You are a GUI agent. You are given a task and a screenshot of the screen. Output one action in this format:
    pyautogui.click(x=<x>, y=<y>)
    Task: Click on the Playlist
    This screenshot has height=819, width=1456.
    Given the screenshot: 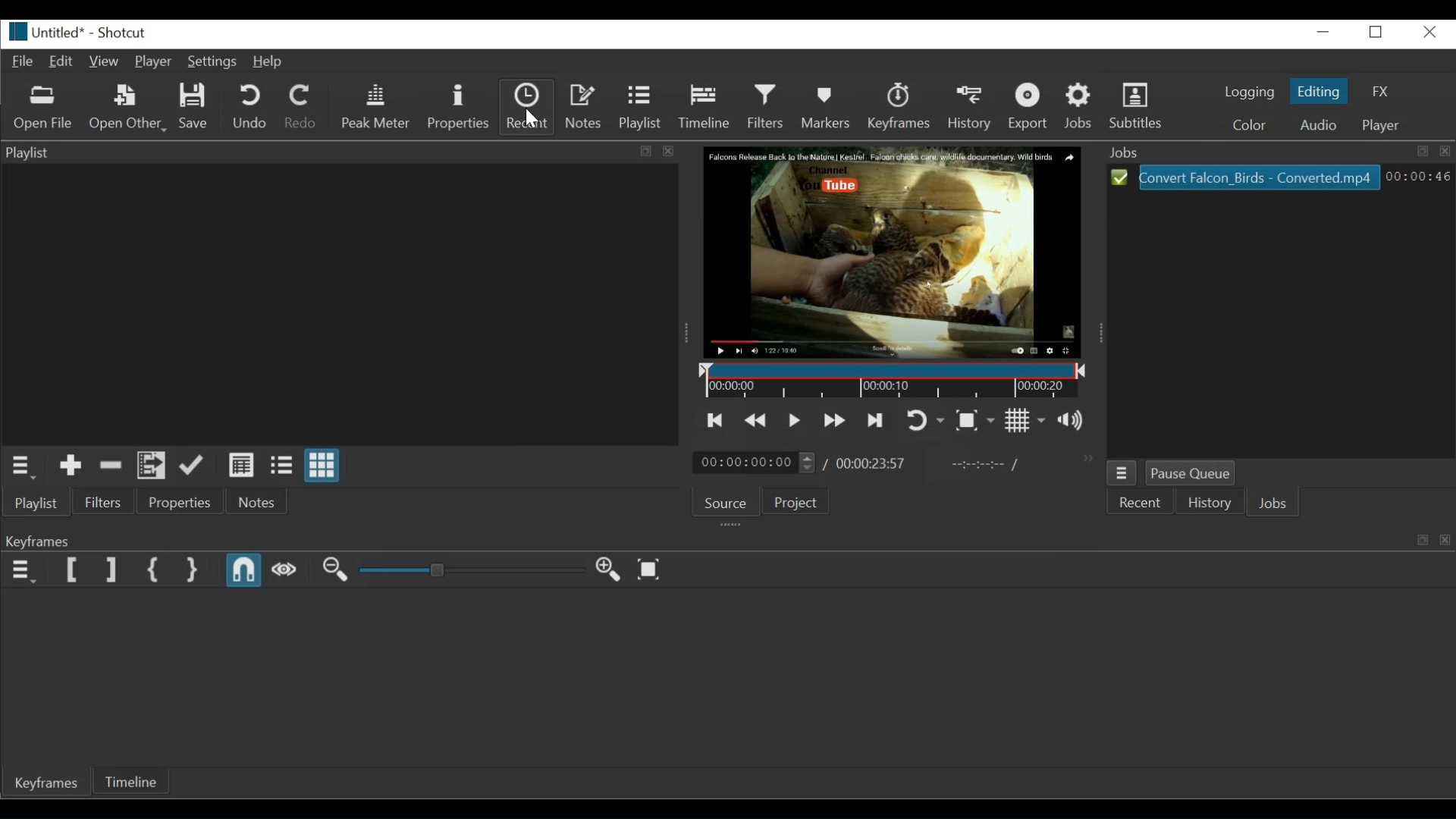 What is the action you would take?
    pyautogui.click(x=340, y=153)
    